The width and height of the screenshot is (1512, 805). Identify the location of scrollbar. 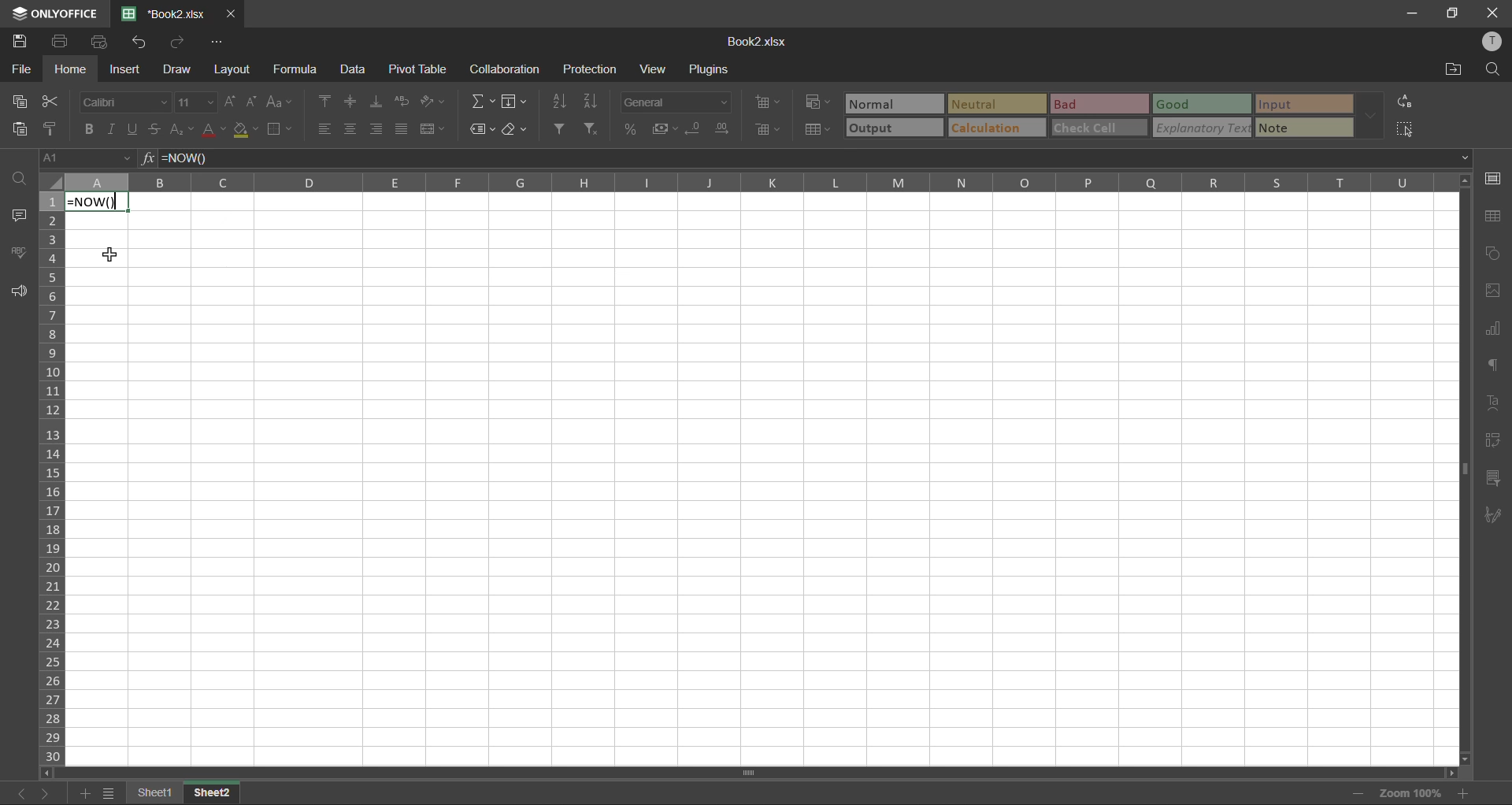
(1464, 473).